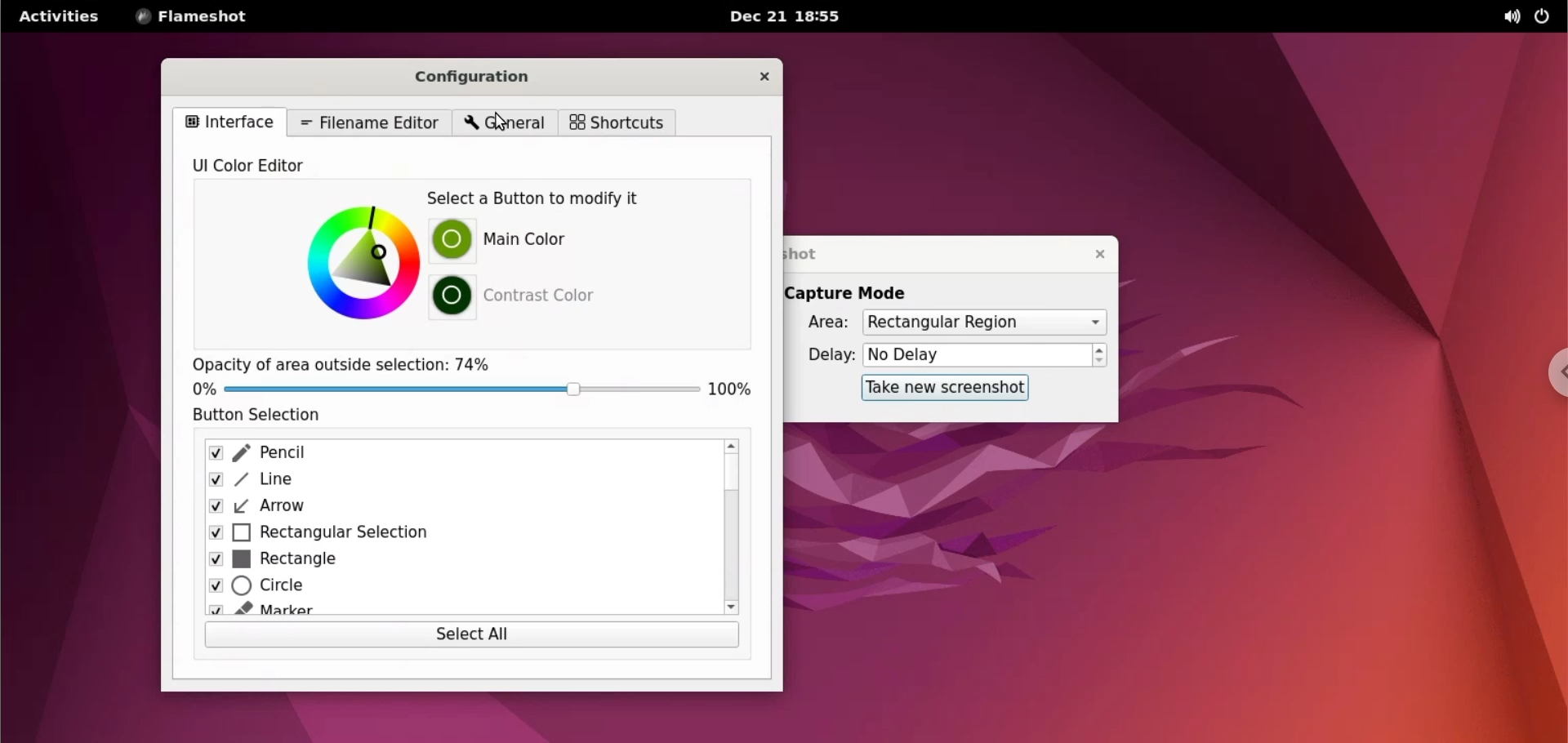  Describe the element at coordinates (58, 22) in the screenshot. I see `Activities` at that location.